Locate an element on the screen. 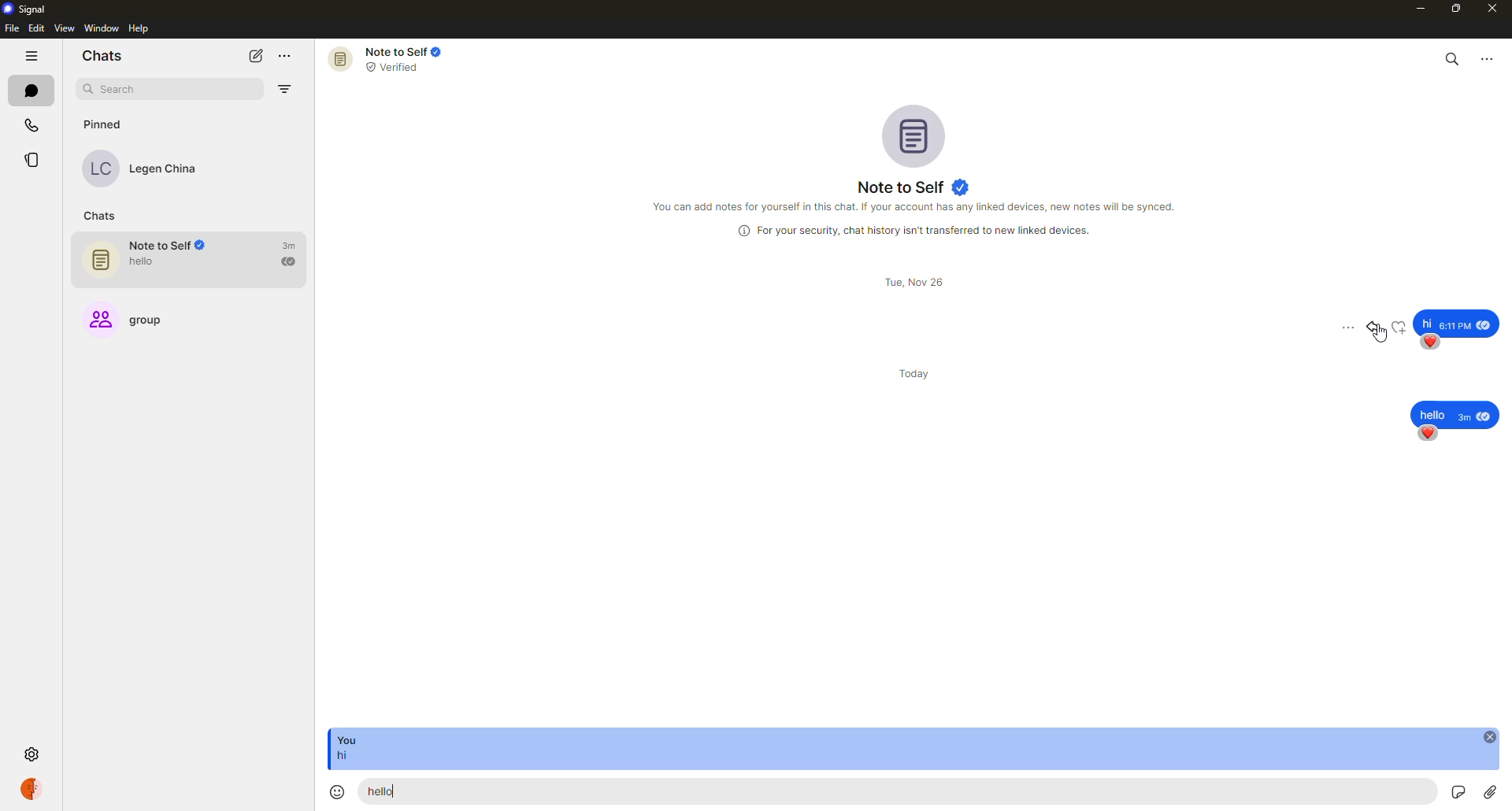 This screenshot has height=811, width=1512. new chat is located at coordinates (256, 55).